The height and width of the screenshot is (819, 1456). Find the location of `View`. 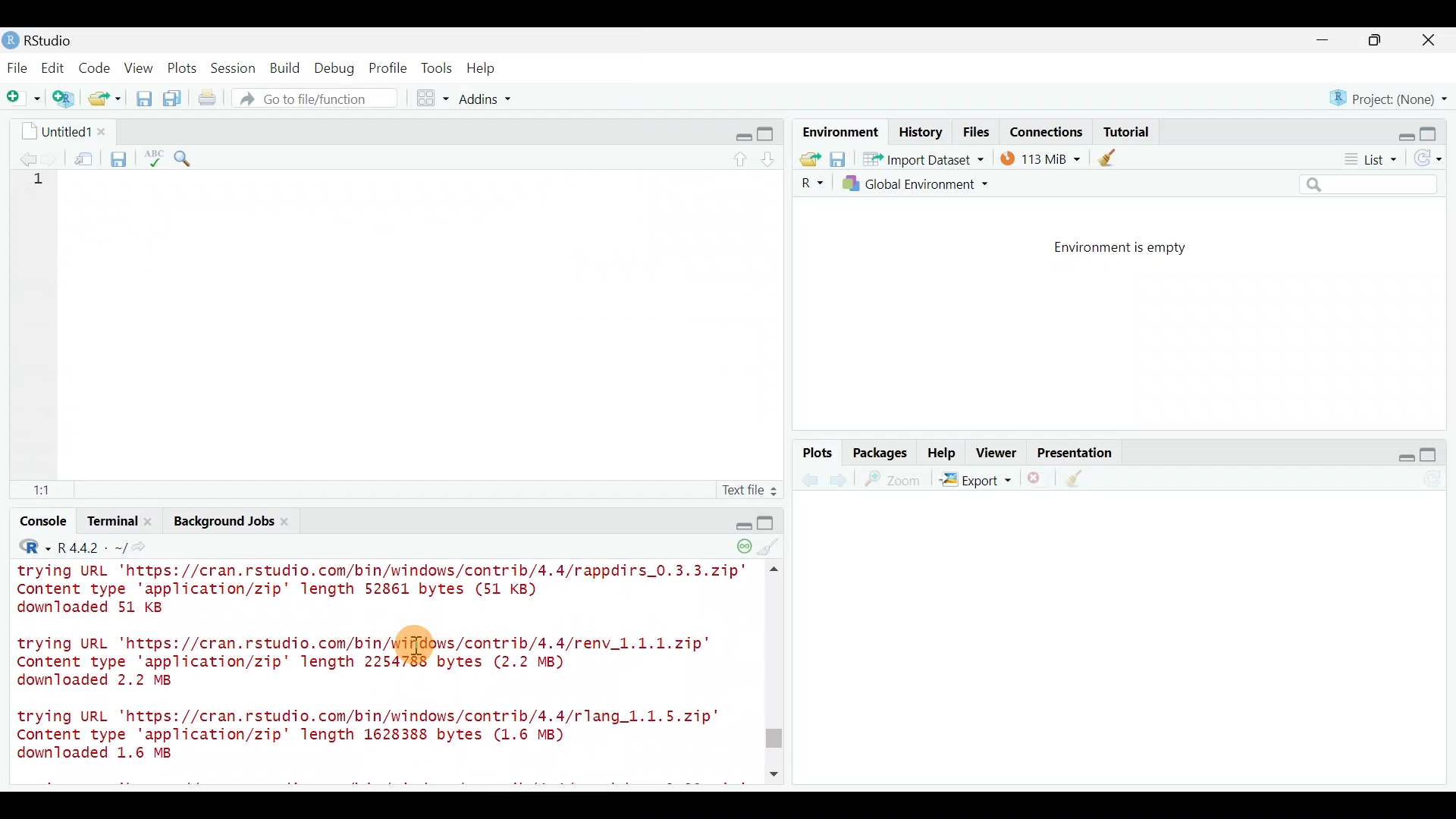

View is located at coordinates (140, 67).